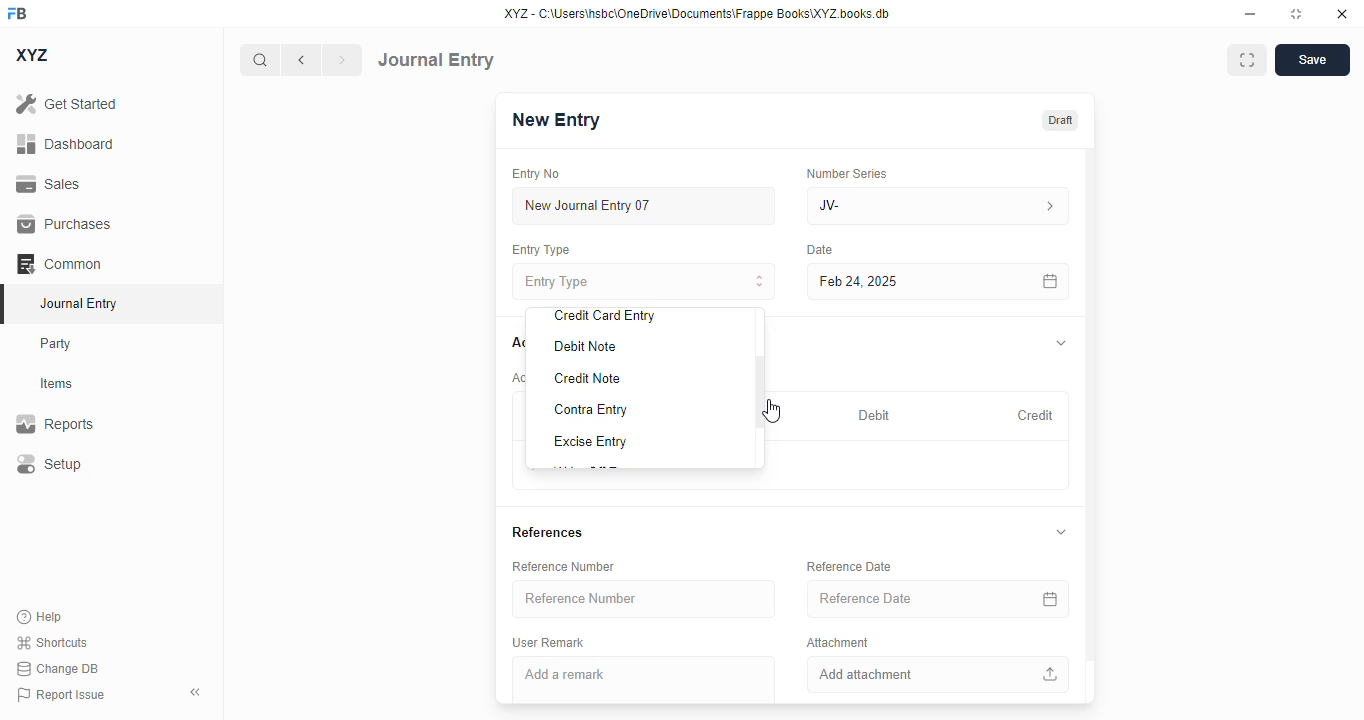  What do you see at coordinates (606, 316) in the screenshot?
I see `credit card entry` at bounding box center [606, 316].